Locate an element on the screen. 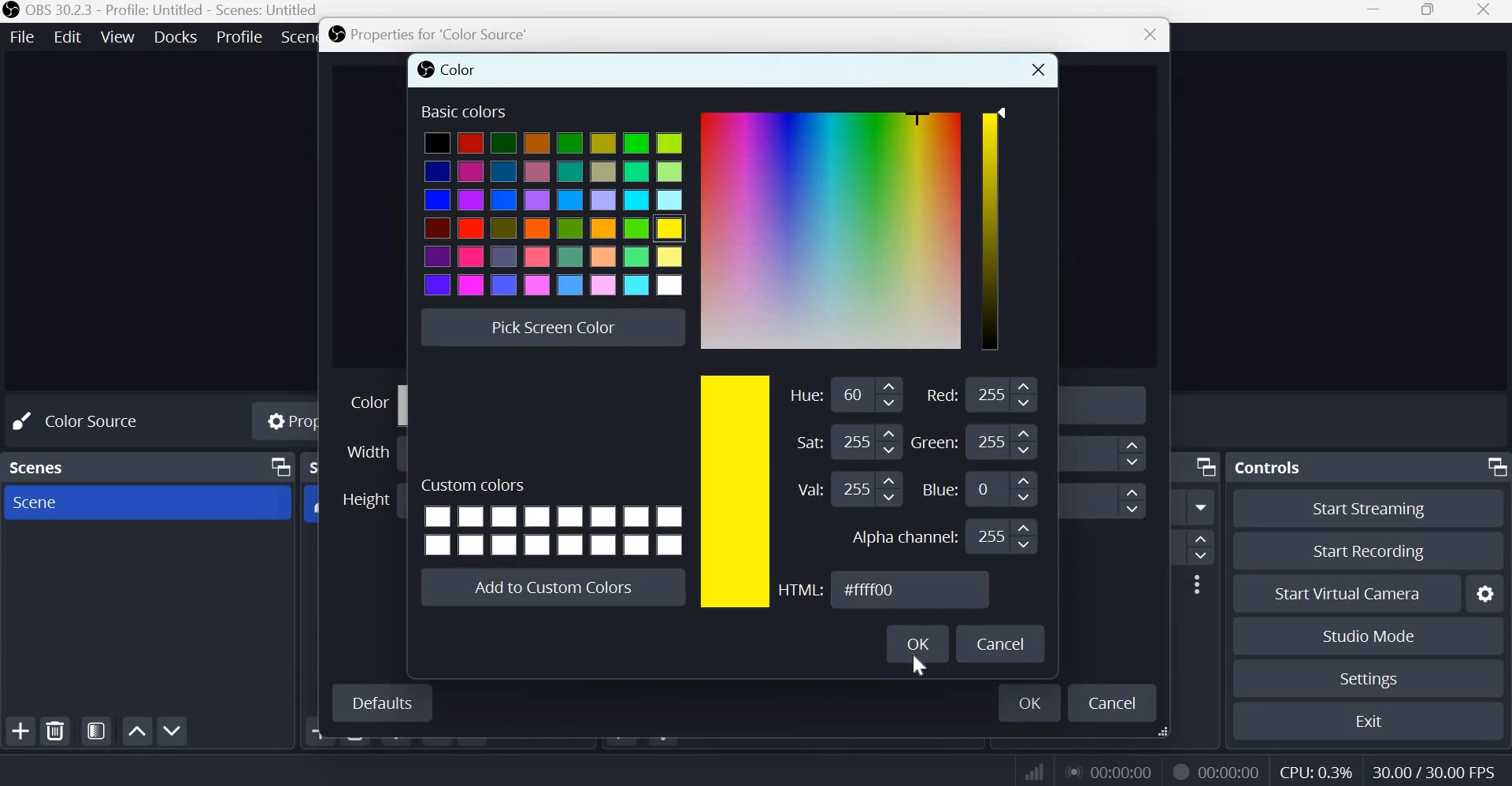  Input is located at coordinates (1002, 395).